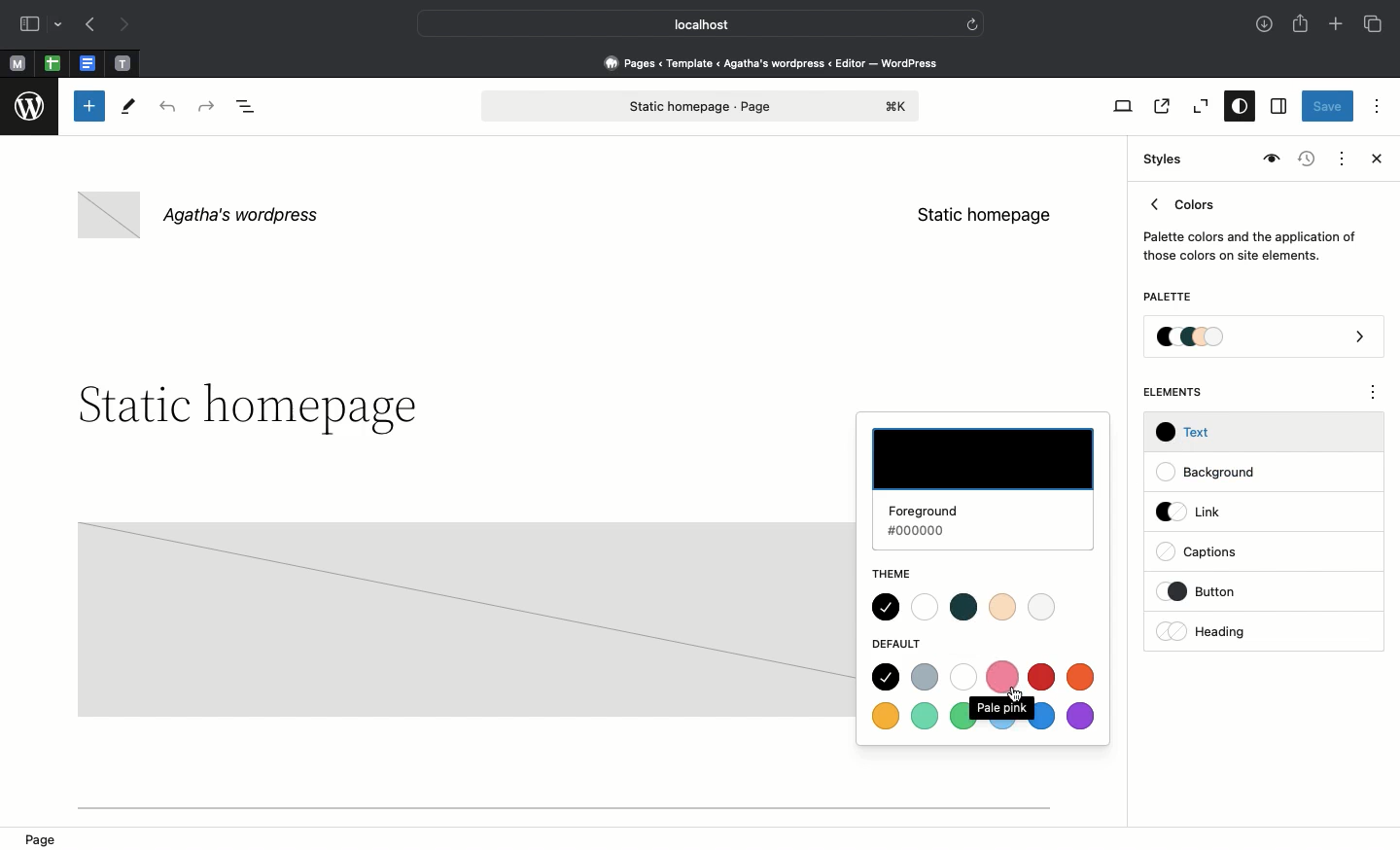 This screenshot has width=1400, height=850. I want to click on Pinned tab, so click(52, 64).